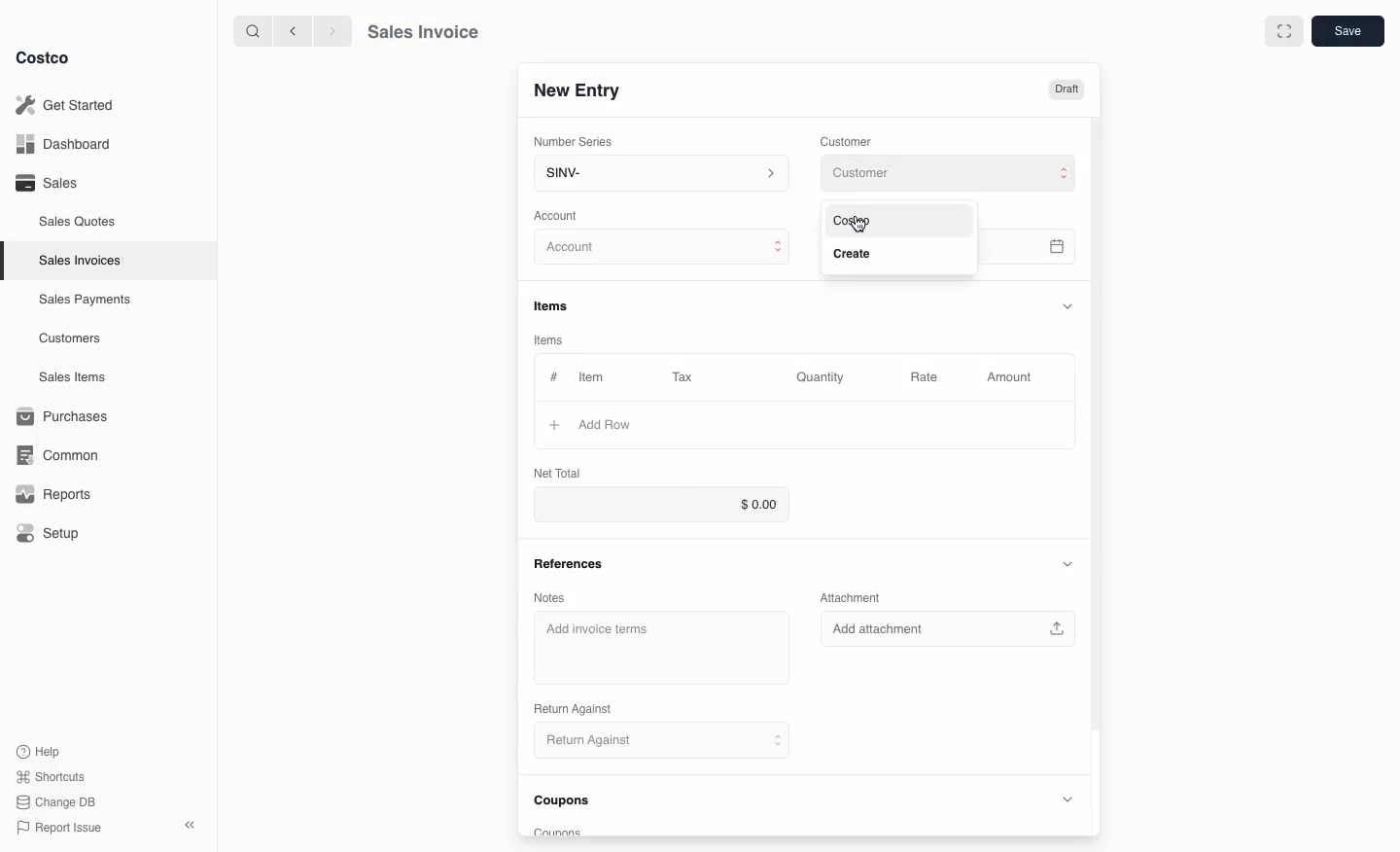  What do you see at coordinates (549, 598) in the screenshot?
I see `Notes` at bounding box center [549, 598].